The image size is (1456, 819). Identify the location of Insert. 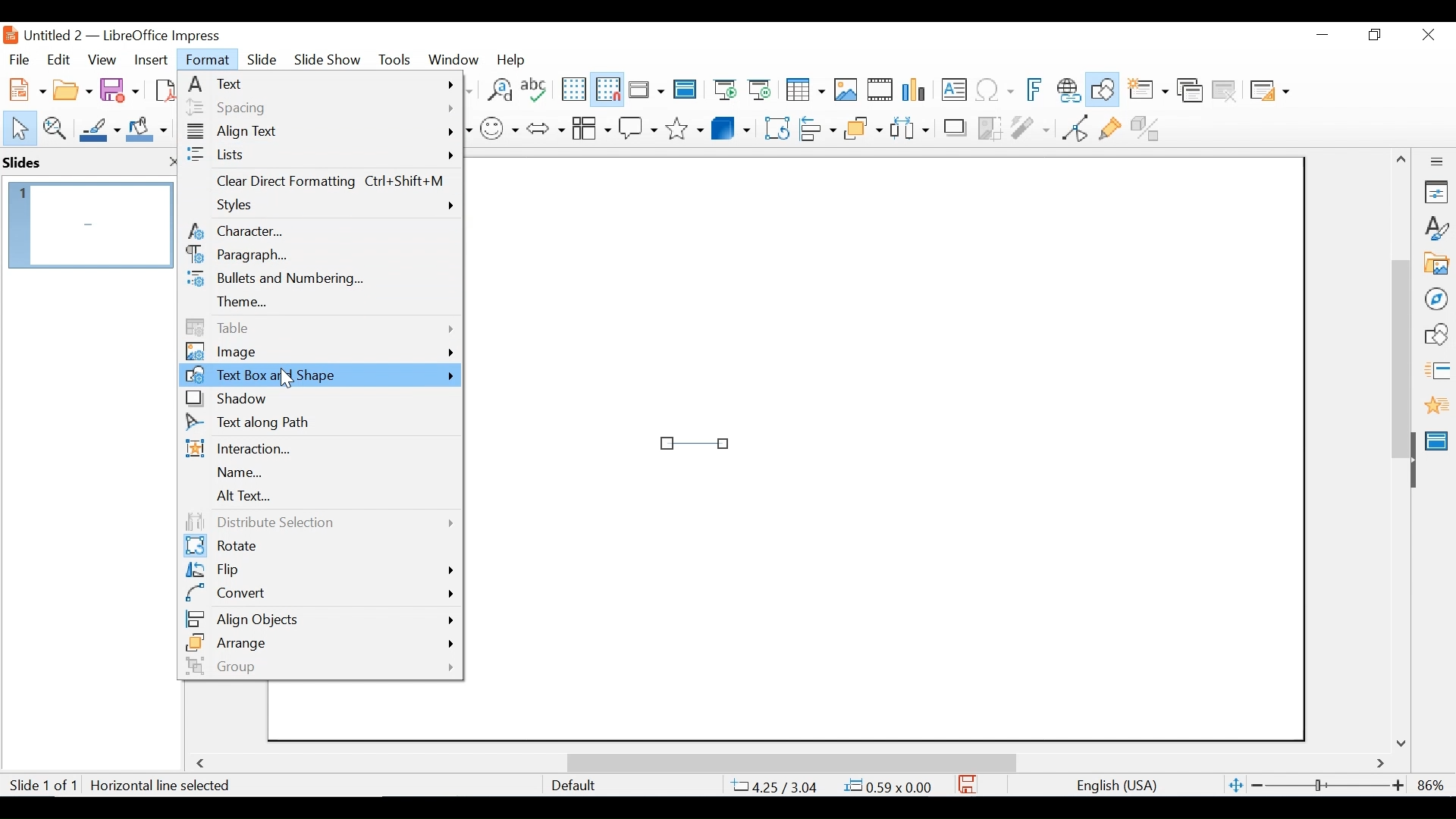
(149, 60).